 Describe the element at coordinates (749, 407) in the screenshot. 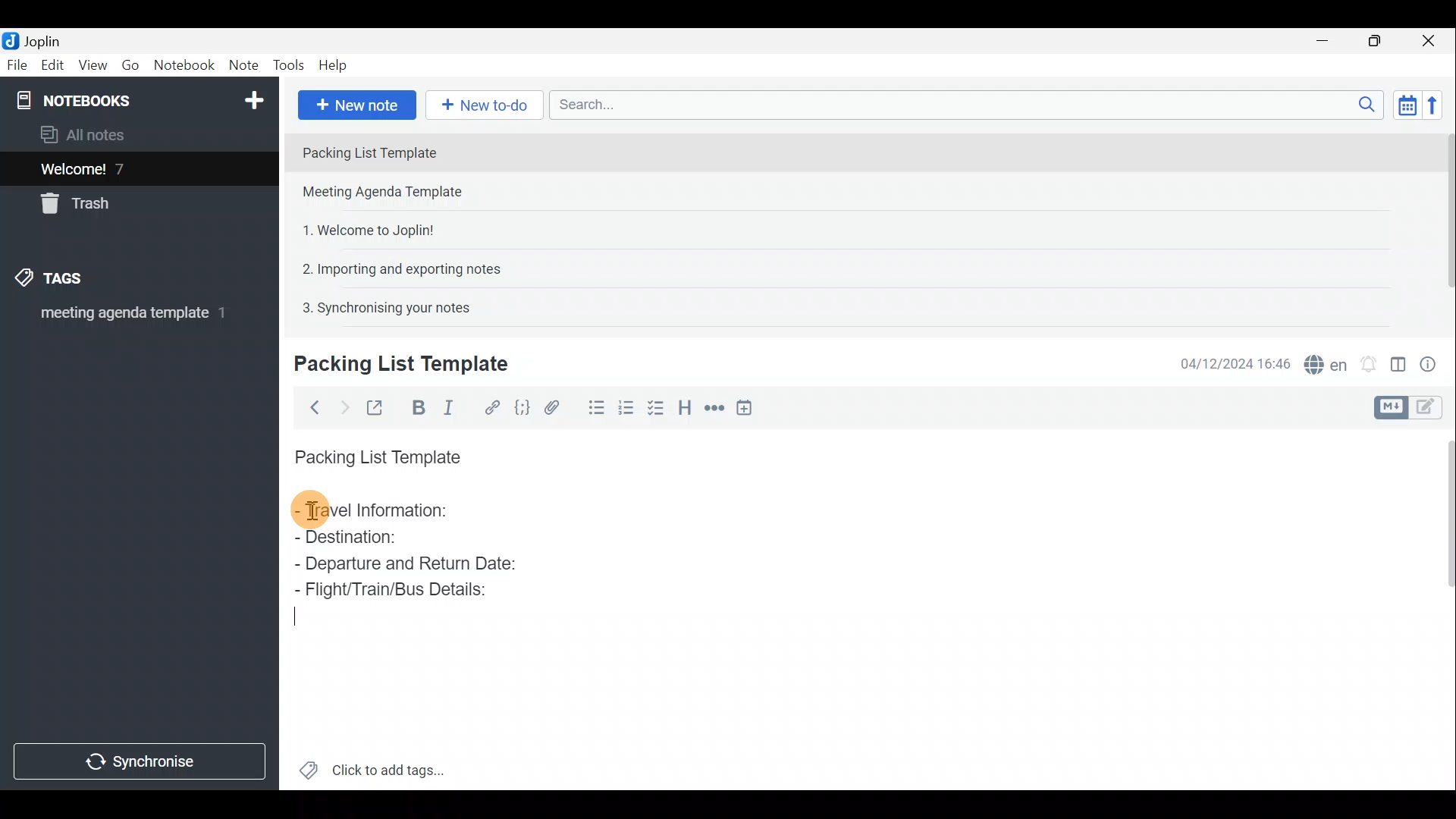

I see `Insert time` at that location.